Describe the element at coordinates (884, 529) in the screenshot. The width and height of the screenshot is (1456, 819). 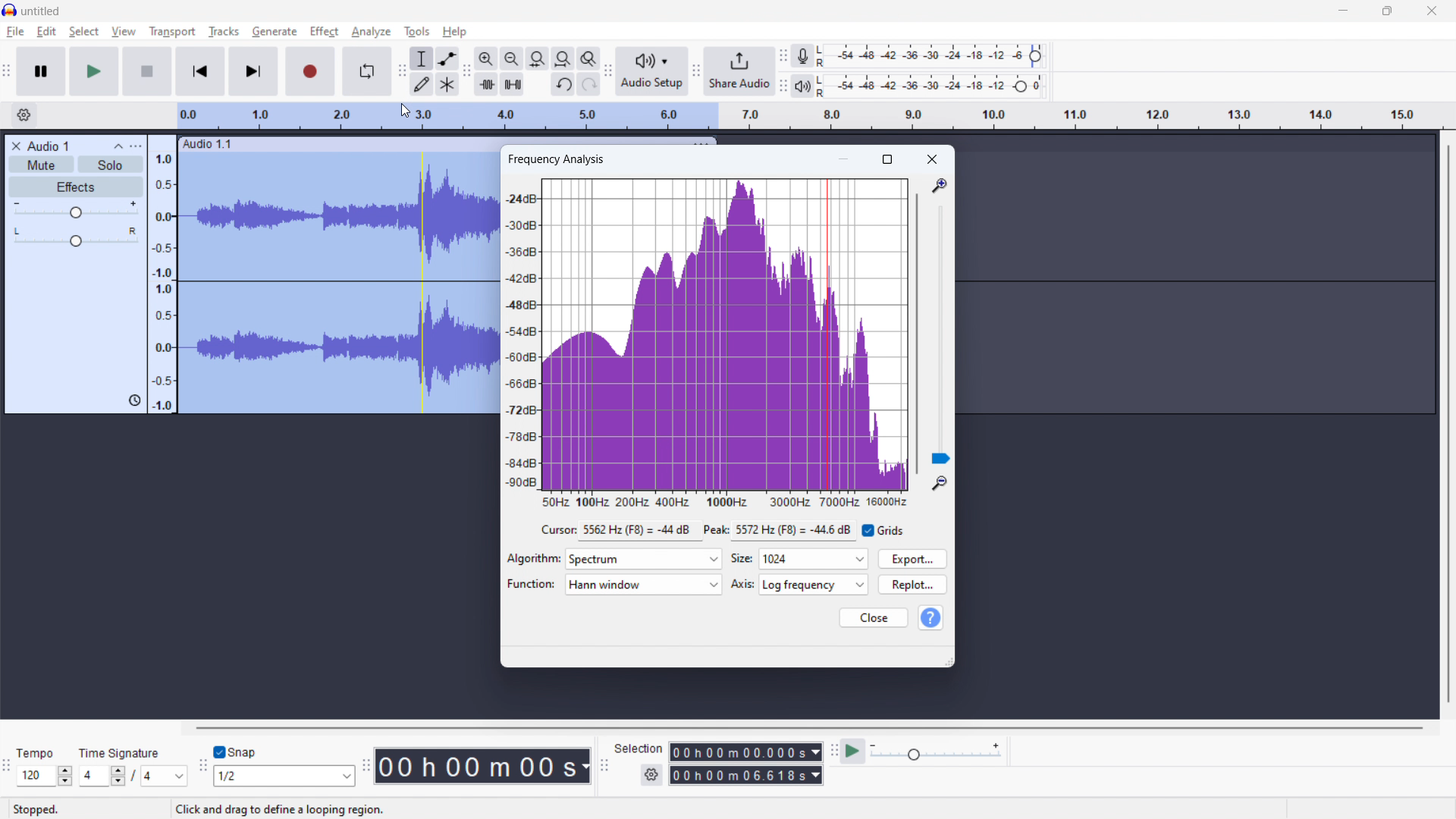
I see `enable/disable grids` at that location.